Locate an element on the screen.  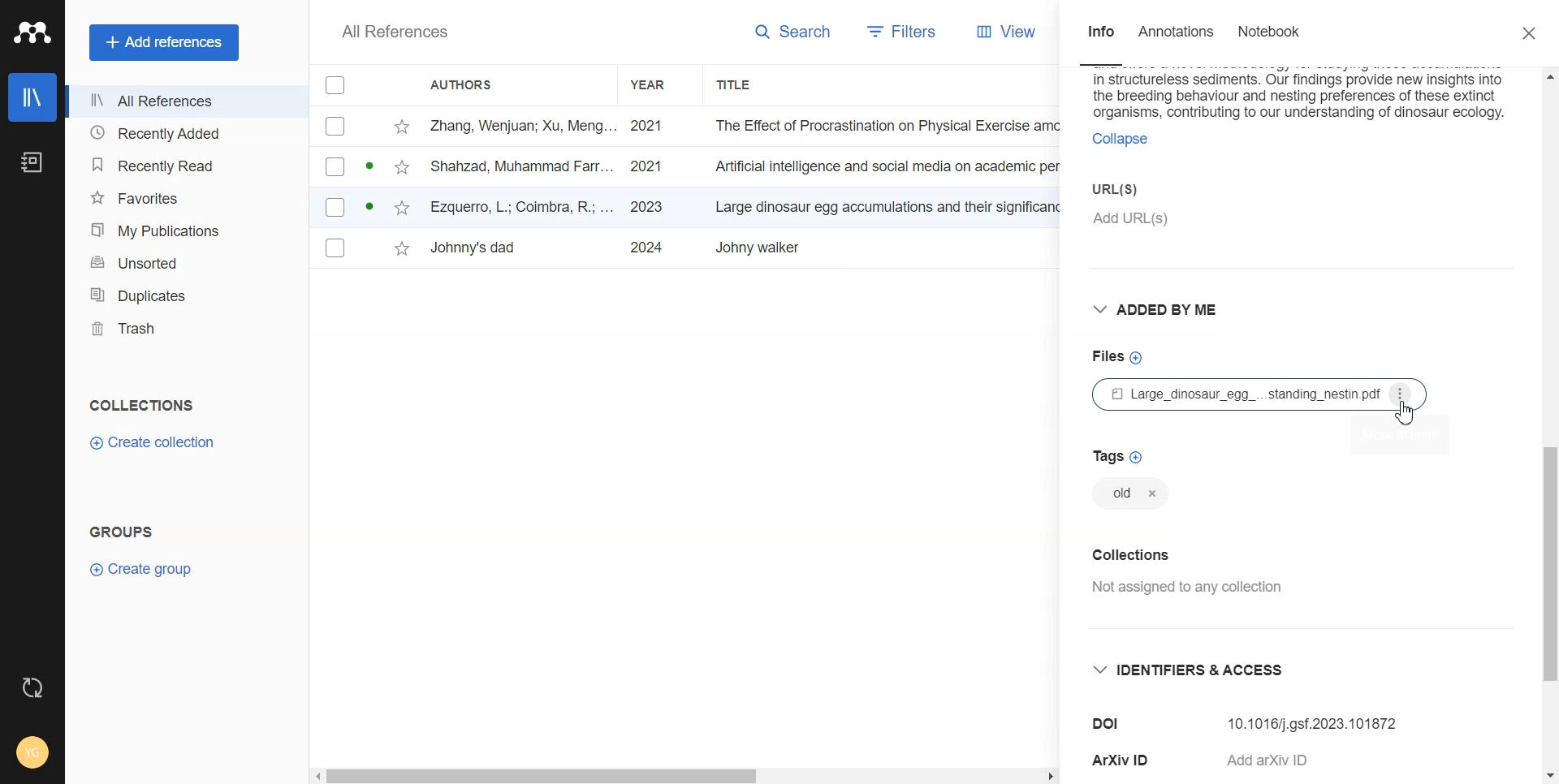
Recently Added is located at coordinates (179, 132).